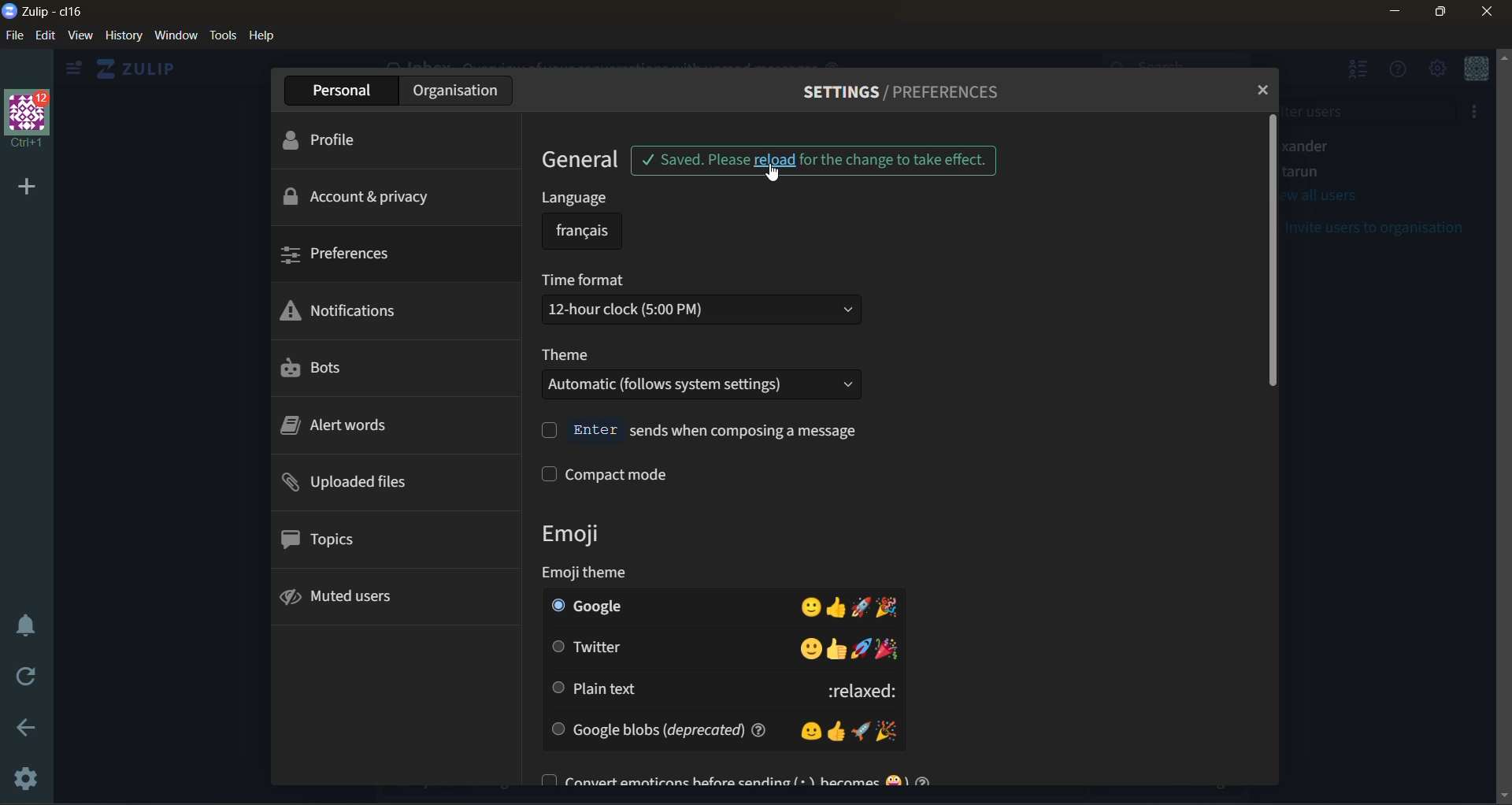  I want to click on enable do not disturb, so click(25, 624).